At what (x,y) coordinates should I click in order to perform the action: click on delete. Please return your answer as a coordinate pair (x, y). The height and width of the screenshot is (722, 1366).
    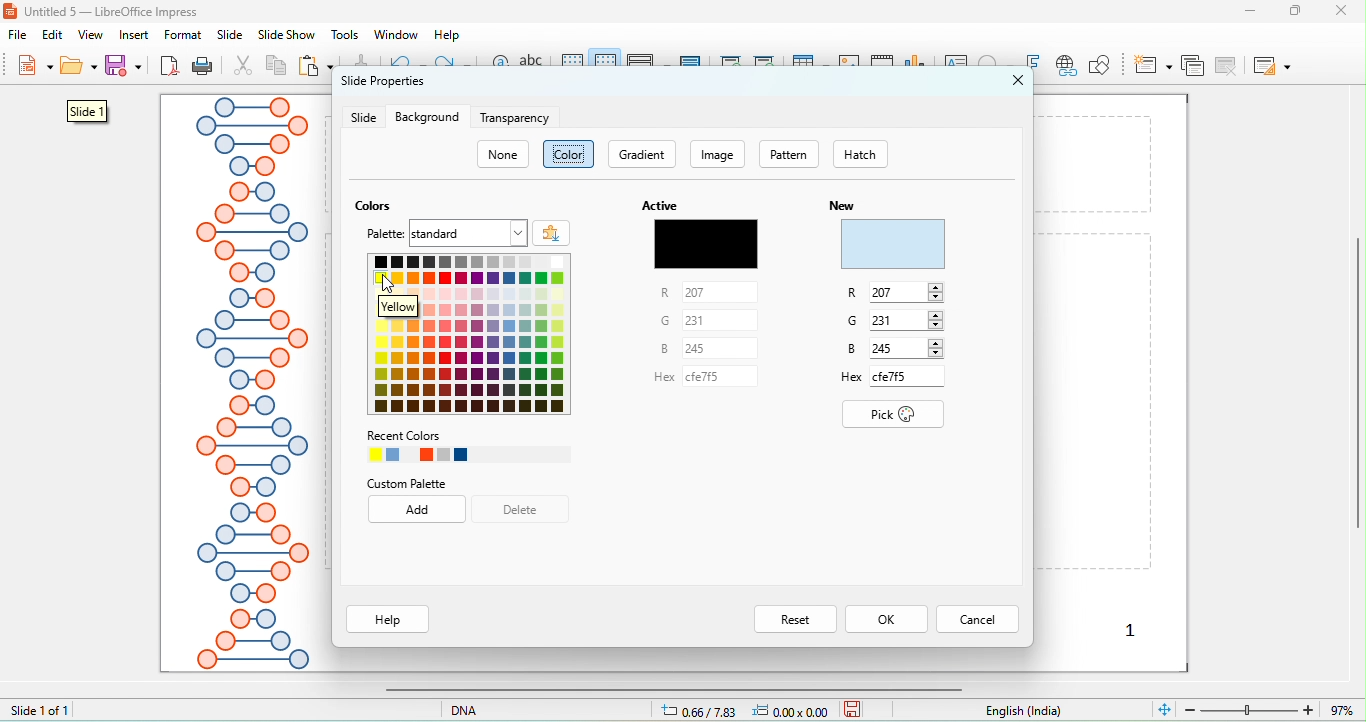
    Looking at the image, I should click on (522, 509).